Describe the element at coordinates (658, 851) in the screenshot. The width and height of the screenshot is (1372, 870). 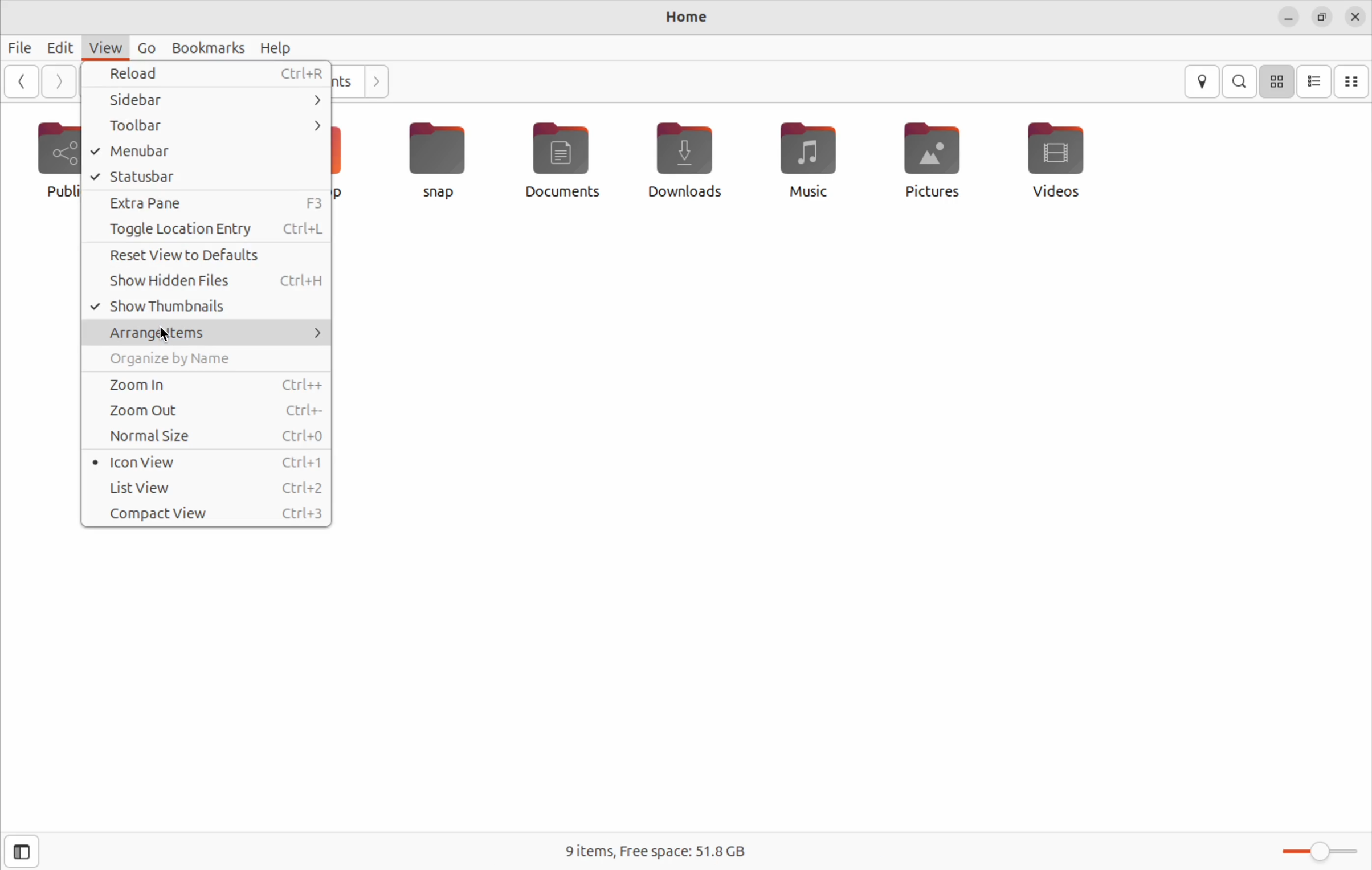
I see `free space` at that location.